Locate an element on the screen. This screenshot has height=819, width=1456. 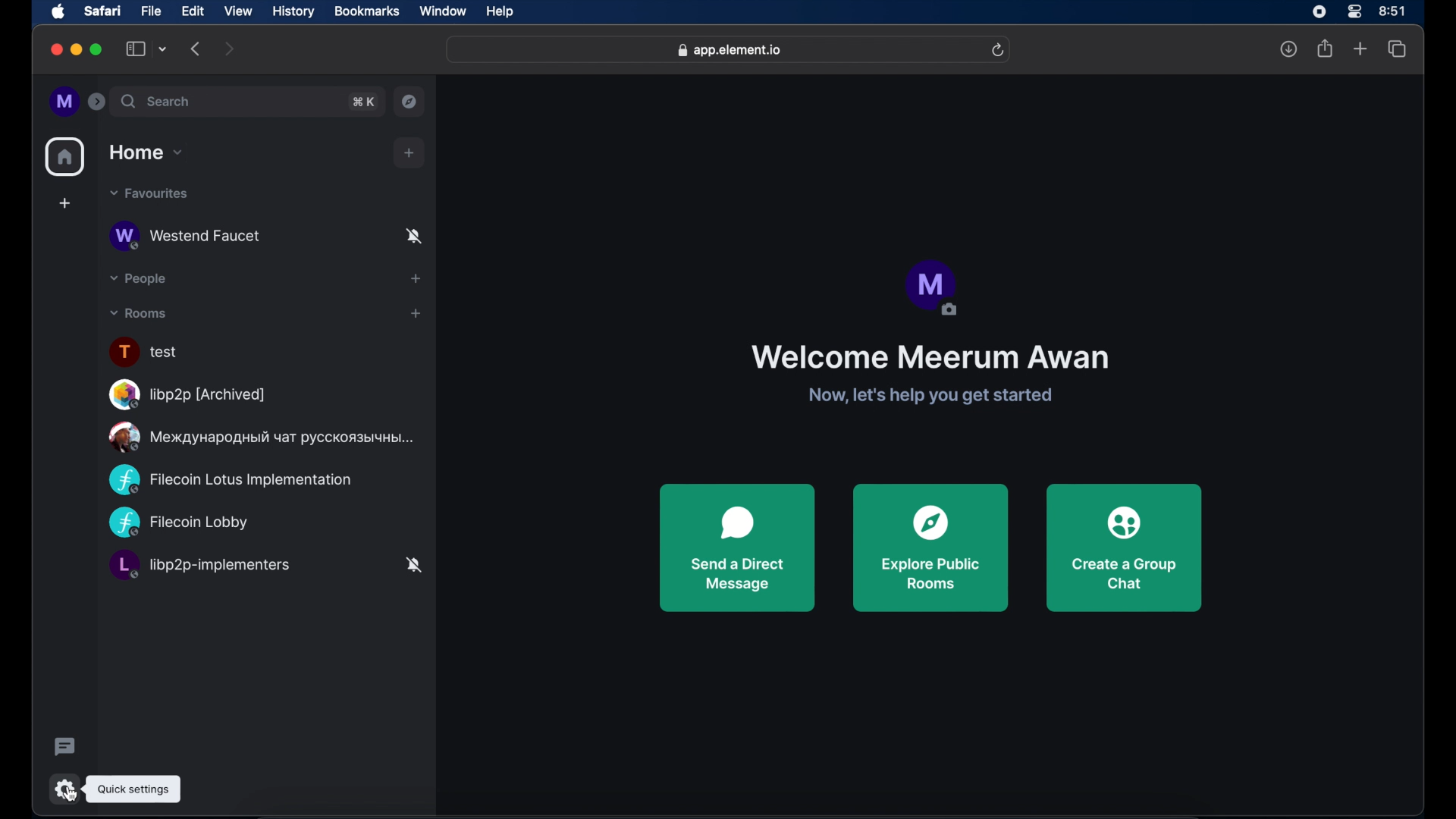
add is located at coordinates (409, 153).